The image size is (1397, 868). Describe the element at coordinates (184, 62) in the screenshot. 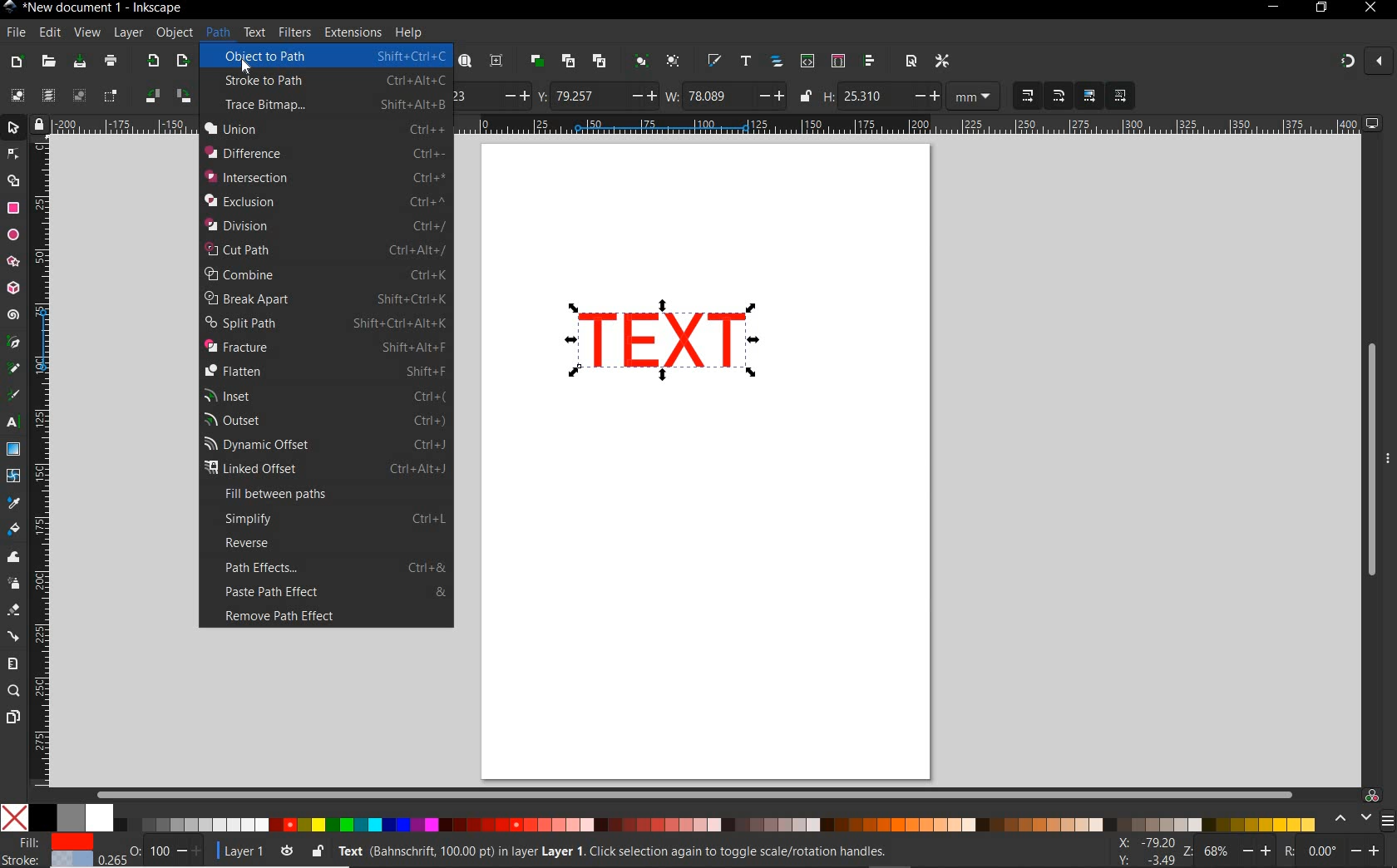

I see `OPEN EXPORT` at that location.